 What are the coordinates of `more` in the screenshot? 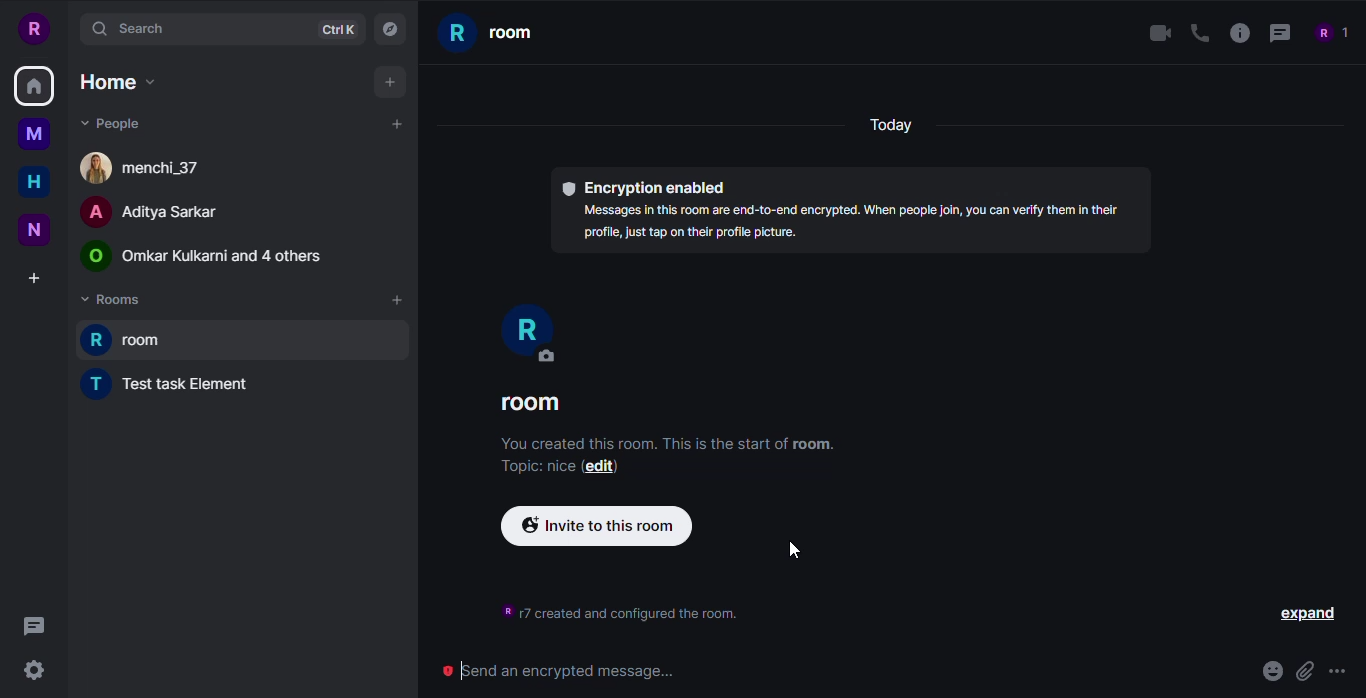 It's located at (1335, 671).